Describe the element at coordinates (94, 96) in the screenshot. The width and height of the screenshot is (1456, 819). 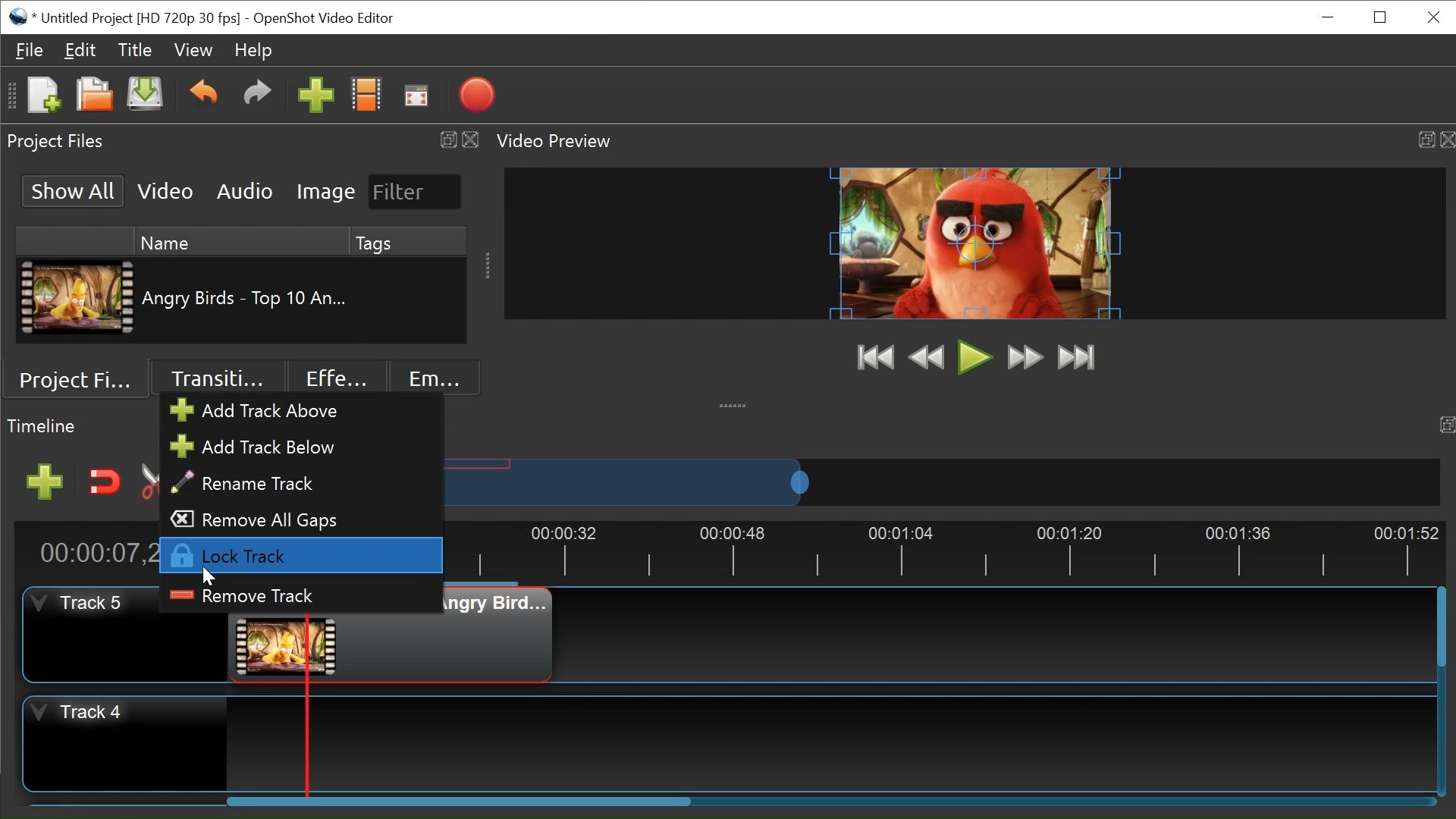
I see `Open File` at that location.